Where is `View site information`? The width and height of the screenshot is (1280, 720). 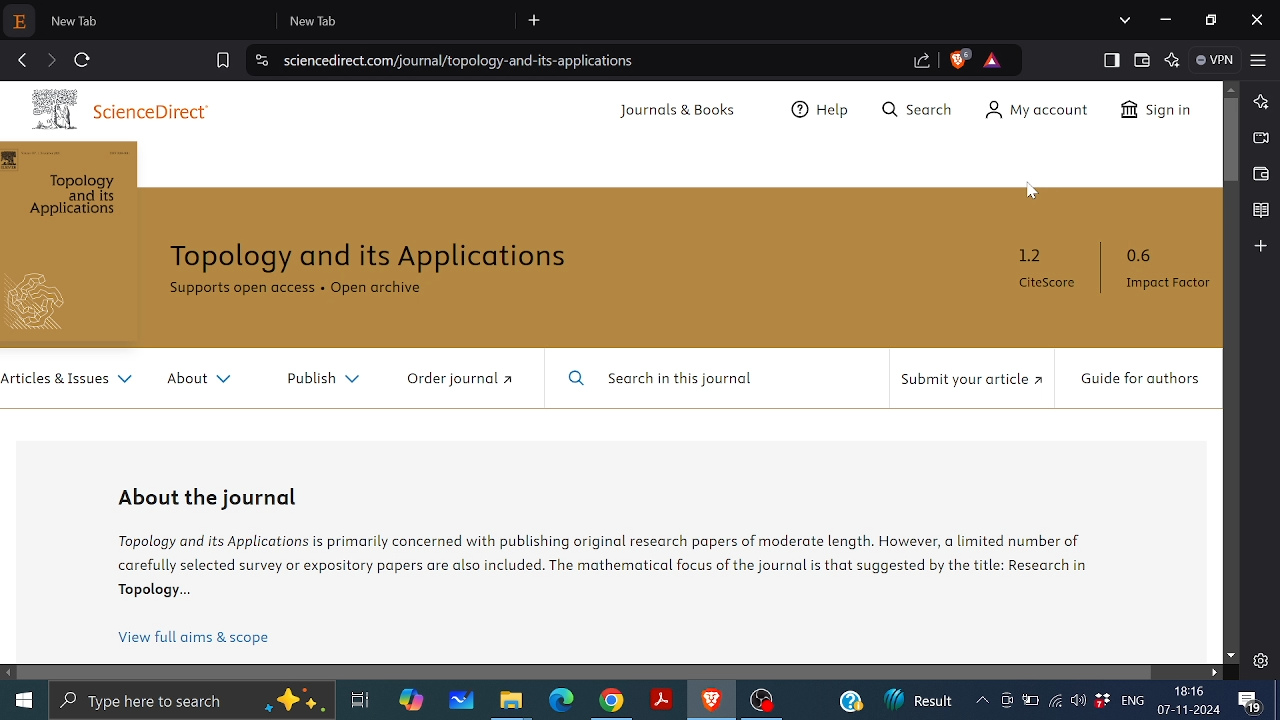
View site information is located at coordinates (259, 60).